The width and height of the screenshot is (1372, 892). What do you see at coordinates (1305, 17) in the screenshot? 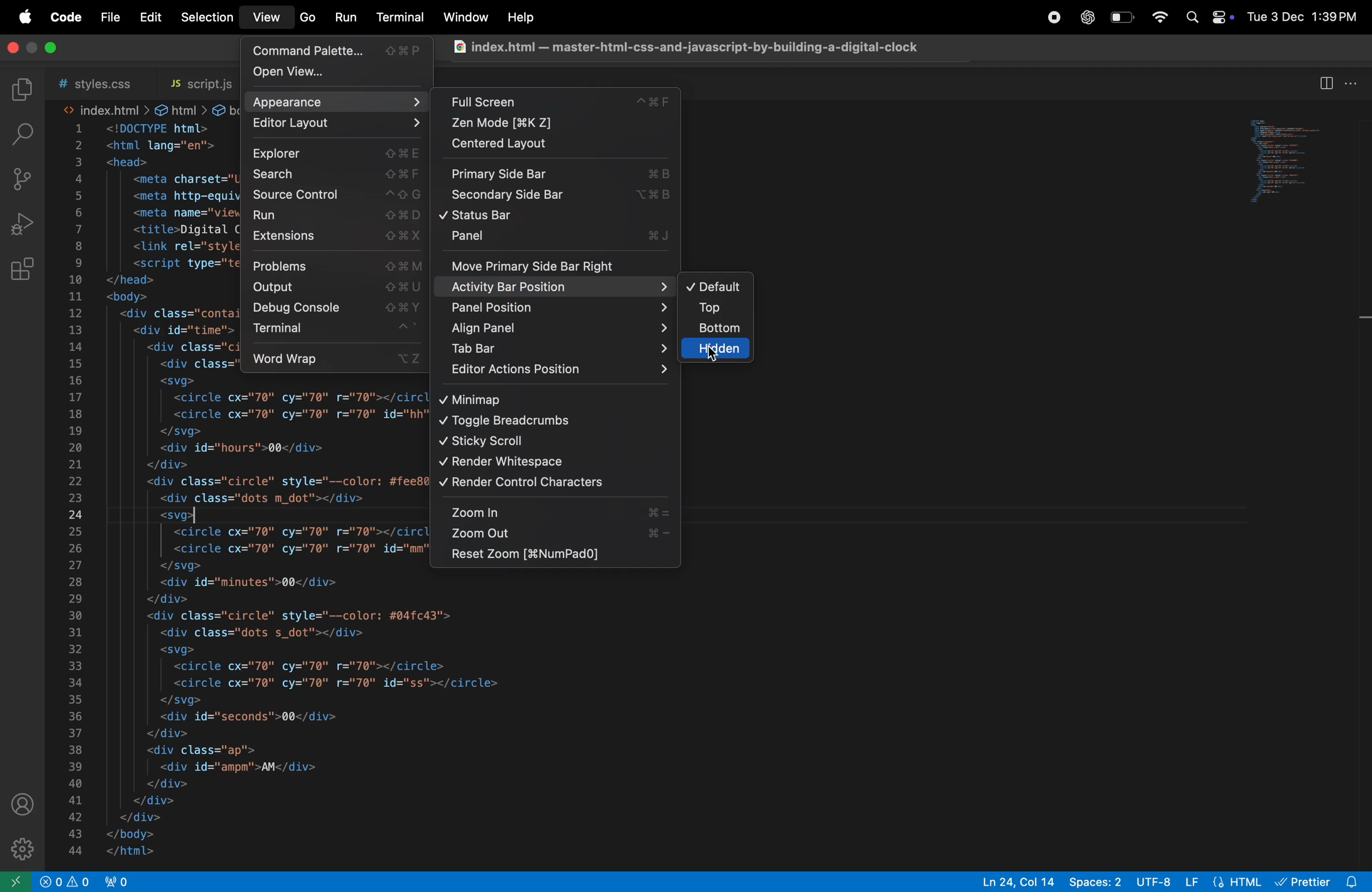
I see `date and time` at bounding box center [1305, 17].